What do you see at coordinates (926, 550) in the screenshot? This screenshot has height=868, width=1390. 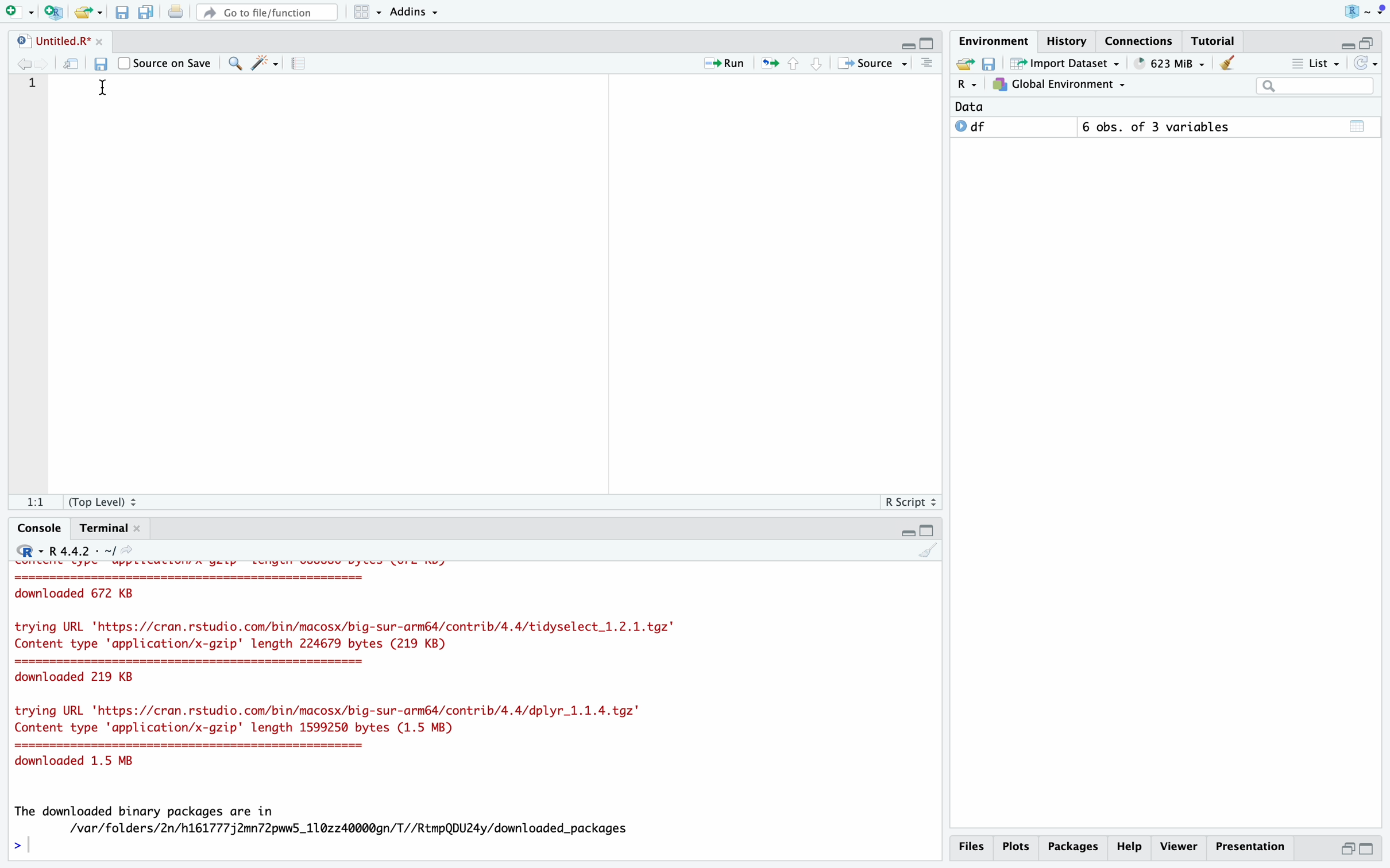 I see `Clear` at bounding box center [926, 550].